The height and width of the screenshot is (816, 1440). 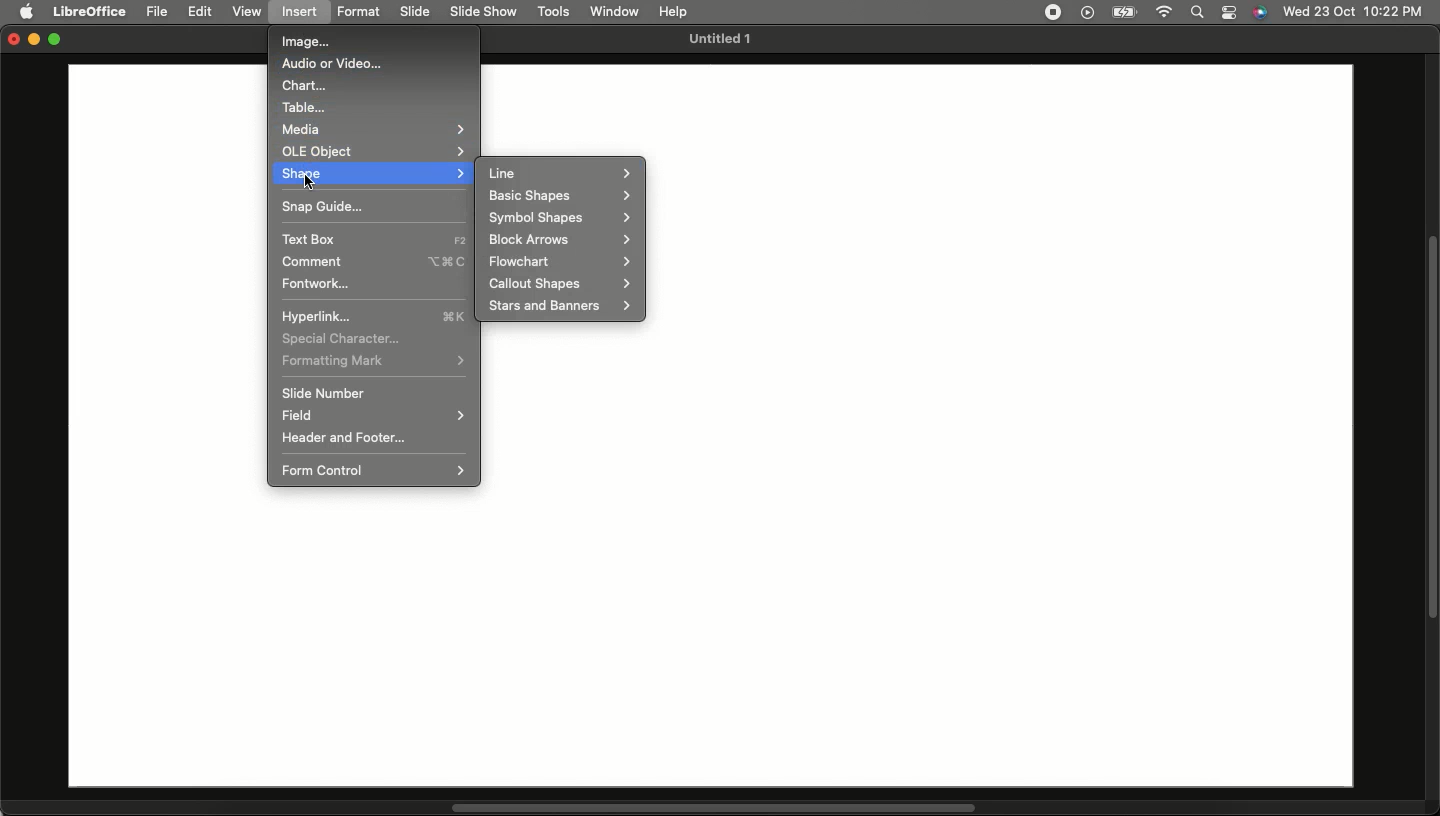 What do you see at coordinates (90, 9) in the screenshot?
I see `LibreOffice` at bounding box center [90, 9].